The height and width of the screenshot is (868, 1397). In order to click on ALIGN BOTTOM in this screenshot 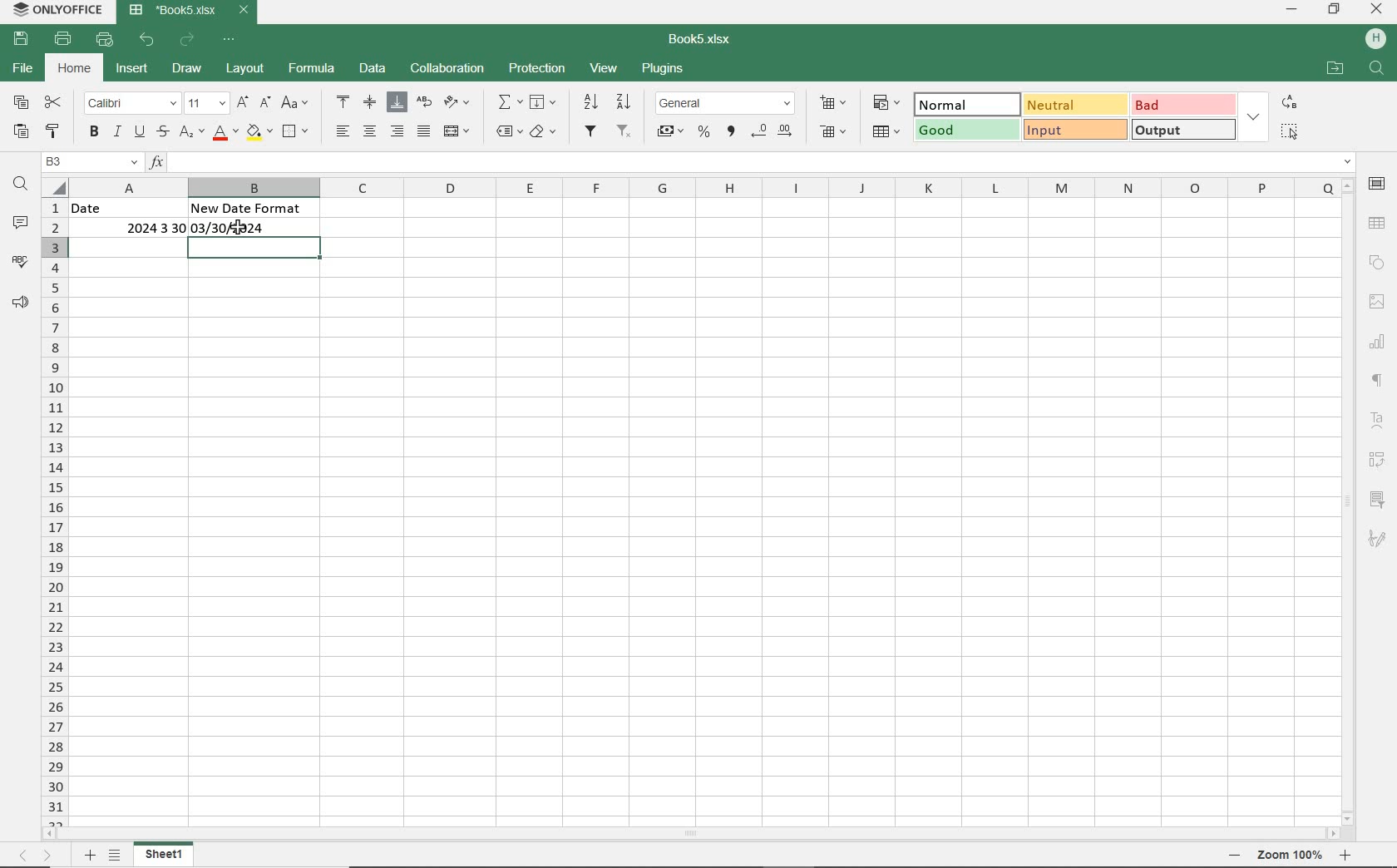, I will do `click(397, 102)`.